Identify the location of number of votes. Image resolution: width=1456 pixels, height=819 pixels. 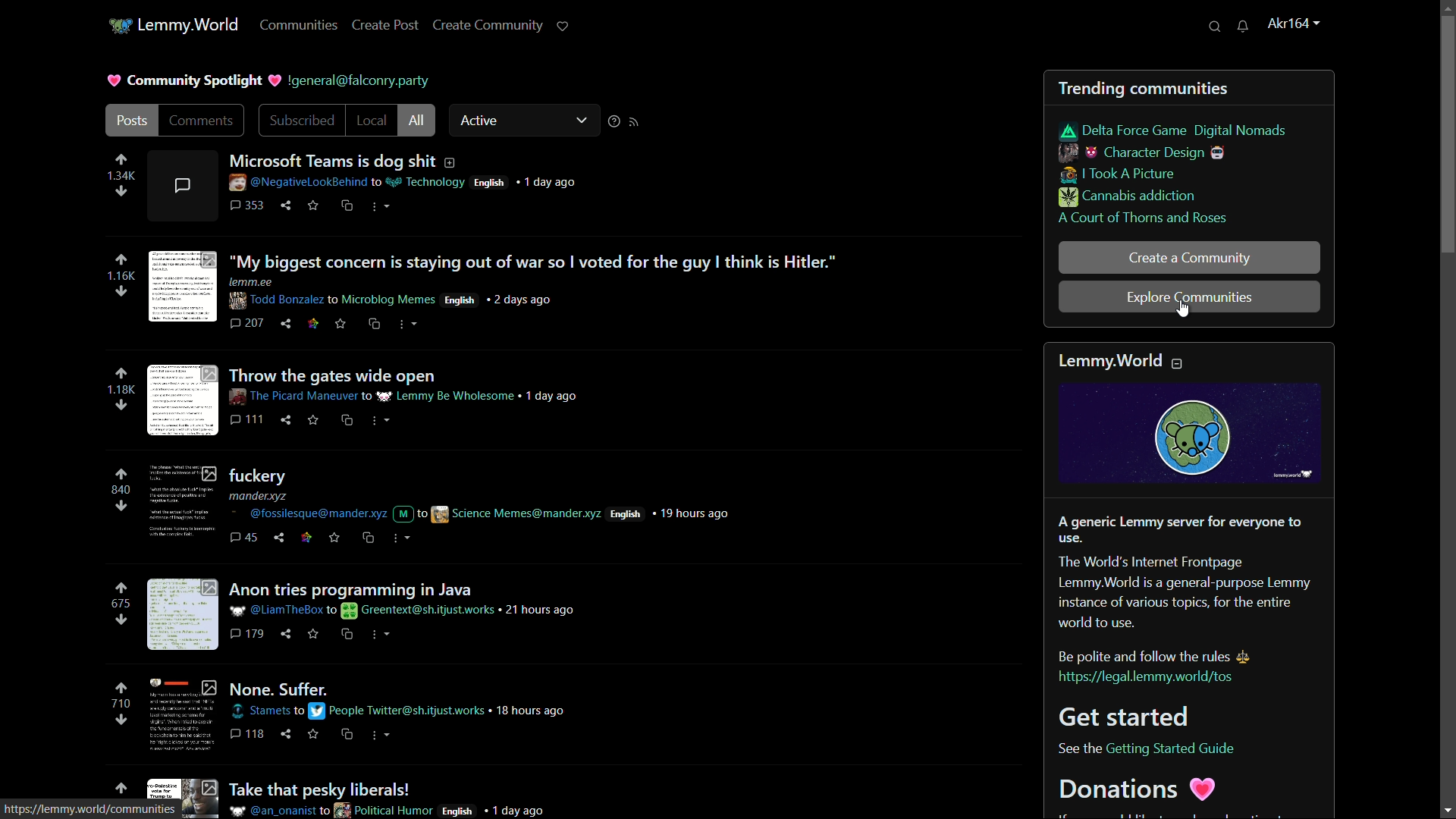
(122, 390).